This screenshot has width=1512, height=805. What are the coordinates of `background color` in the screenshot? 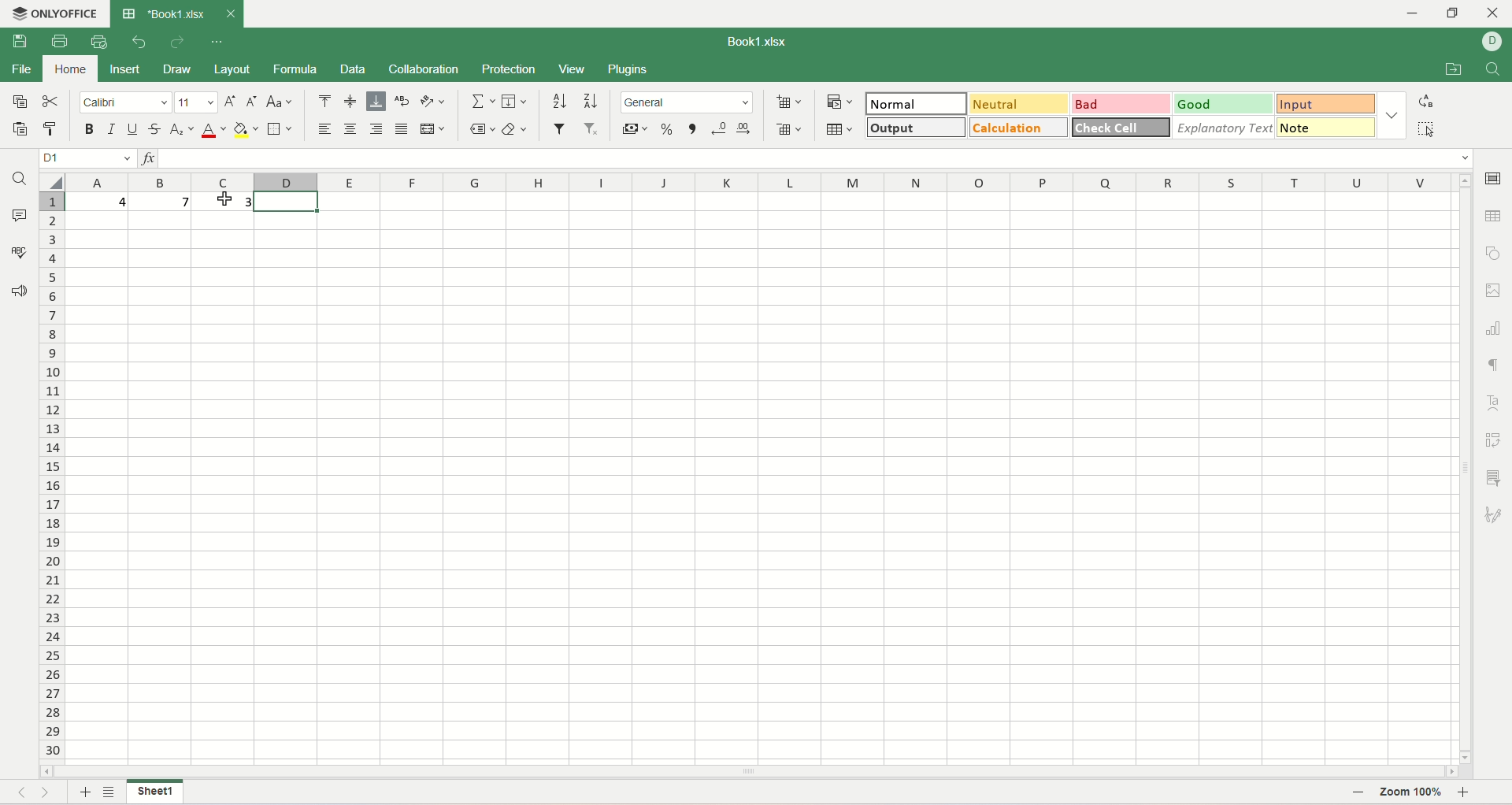 It's located at (246, 128).